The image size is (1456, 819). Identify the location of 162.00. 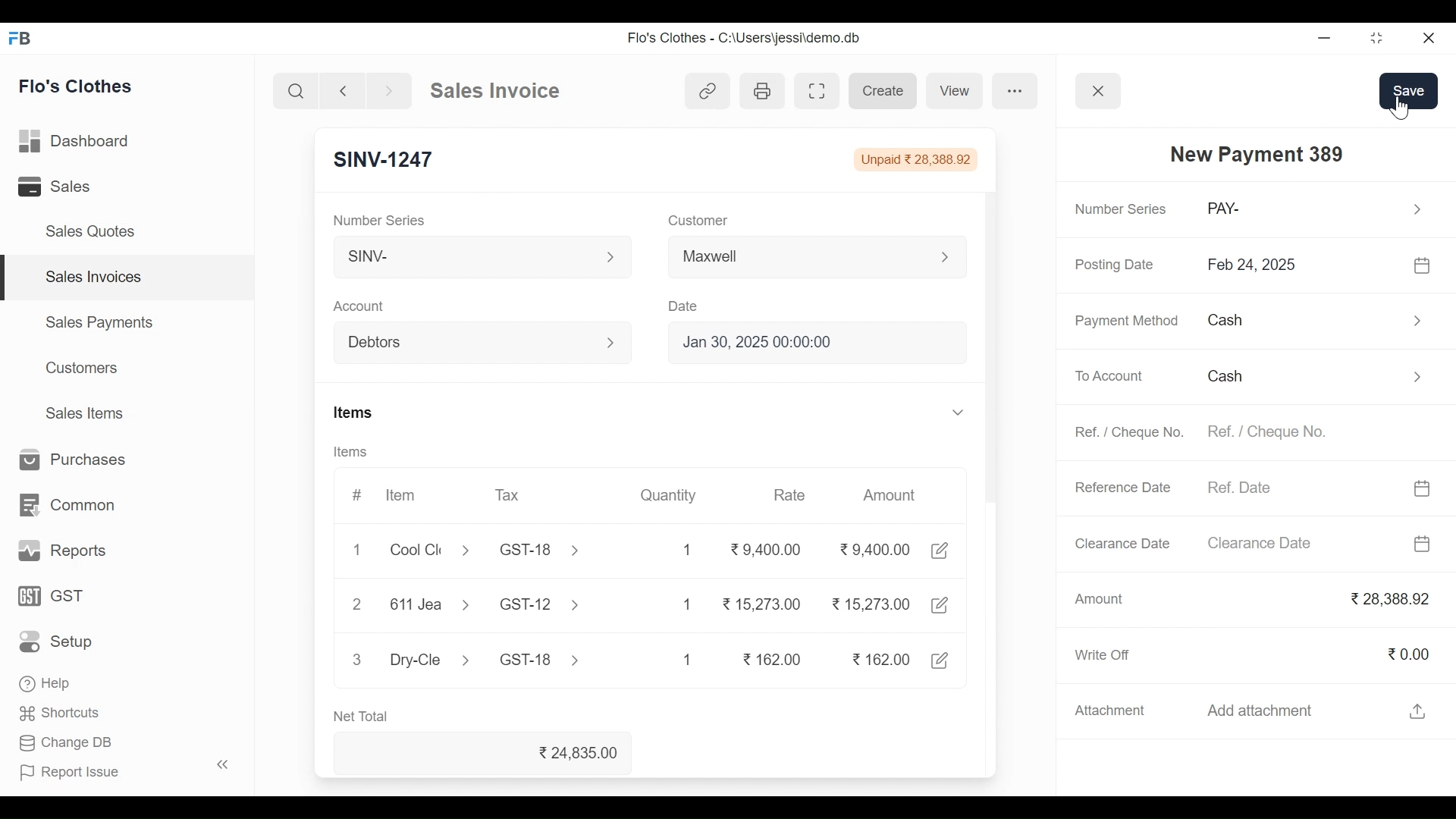
(769, 659).